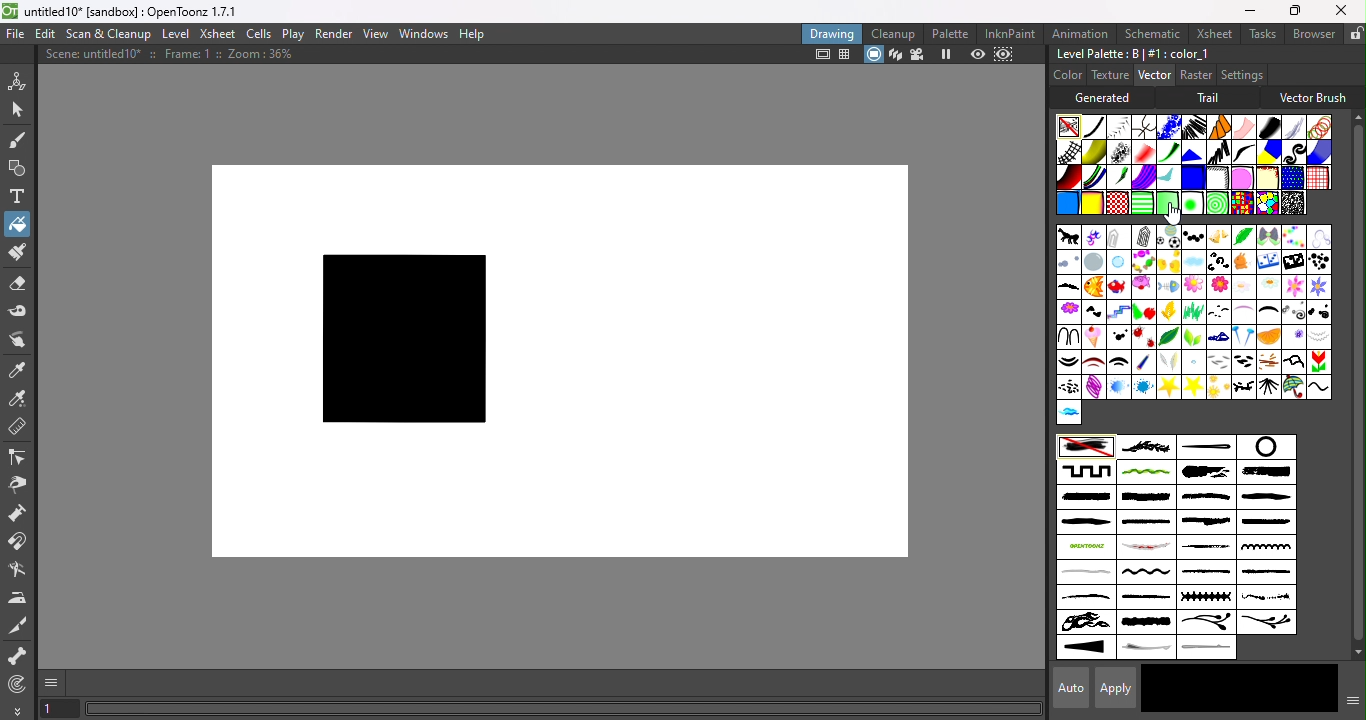 The height and width of the screenshot is (720, 1366). What do you see at coordinates (1317, 362) in the screenshot?
I see `scho` at bounding box center [1317, 362].